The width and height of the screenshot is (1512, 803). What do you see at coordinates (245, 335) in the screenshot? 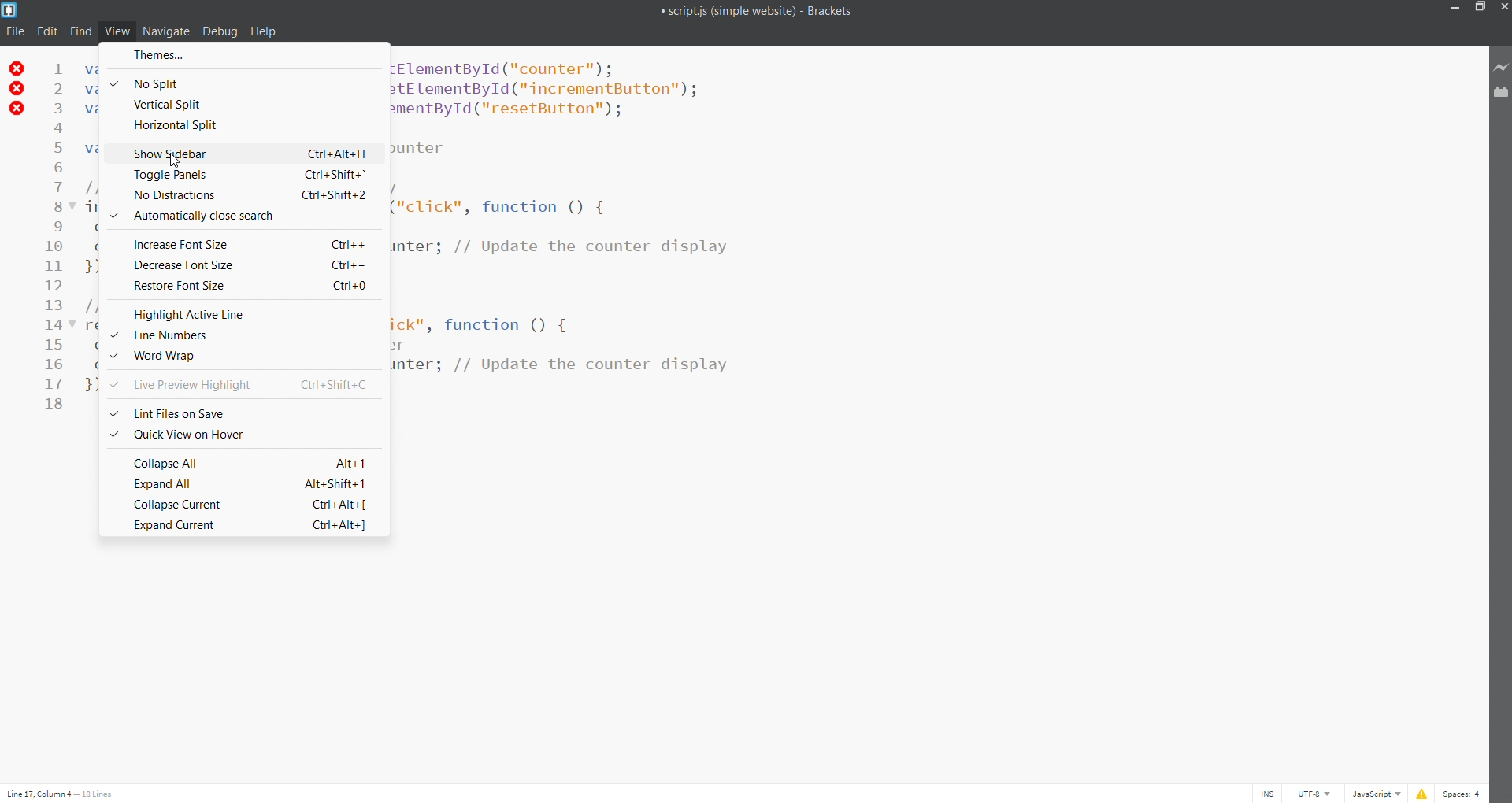
I see `line numbers` at bounding box center [245, 335].